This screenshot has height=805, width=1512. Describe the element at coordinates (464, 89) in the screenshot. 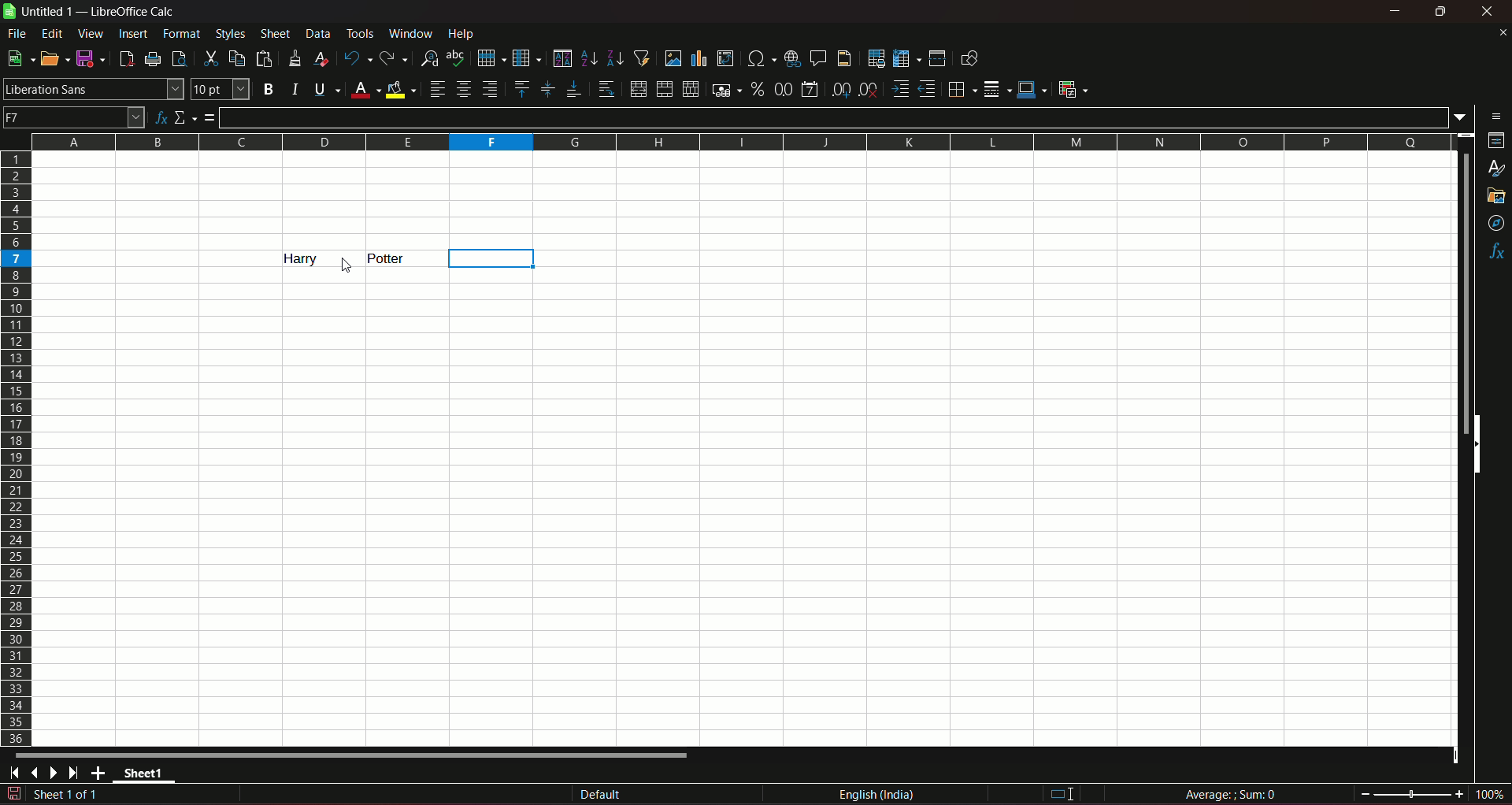

I see `align center` at that location.